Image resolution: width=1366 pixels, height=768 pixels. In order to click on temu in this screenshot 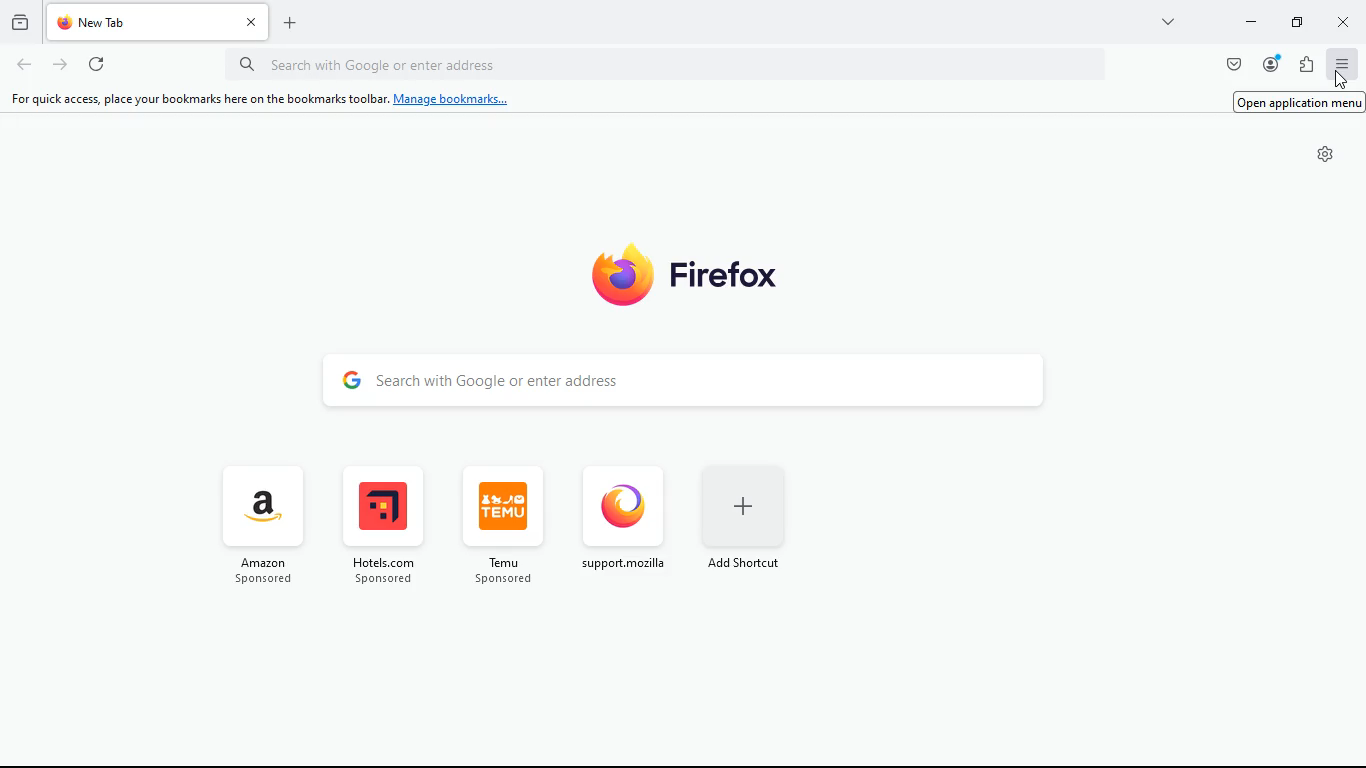, I will do `click(499, 524)`.